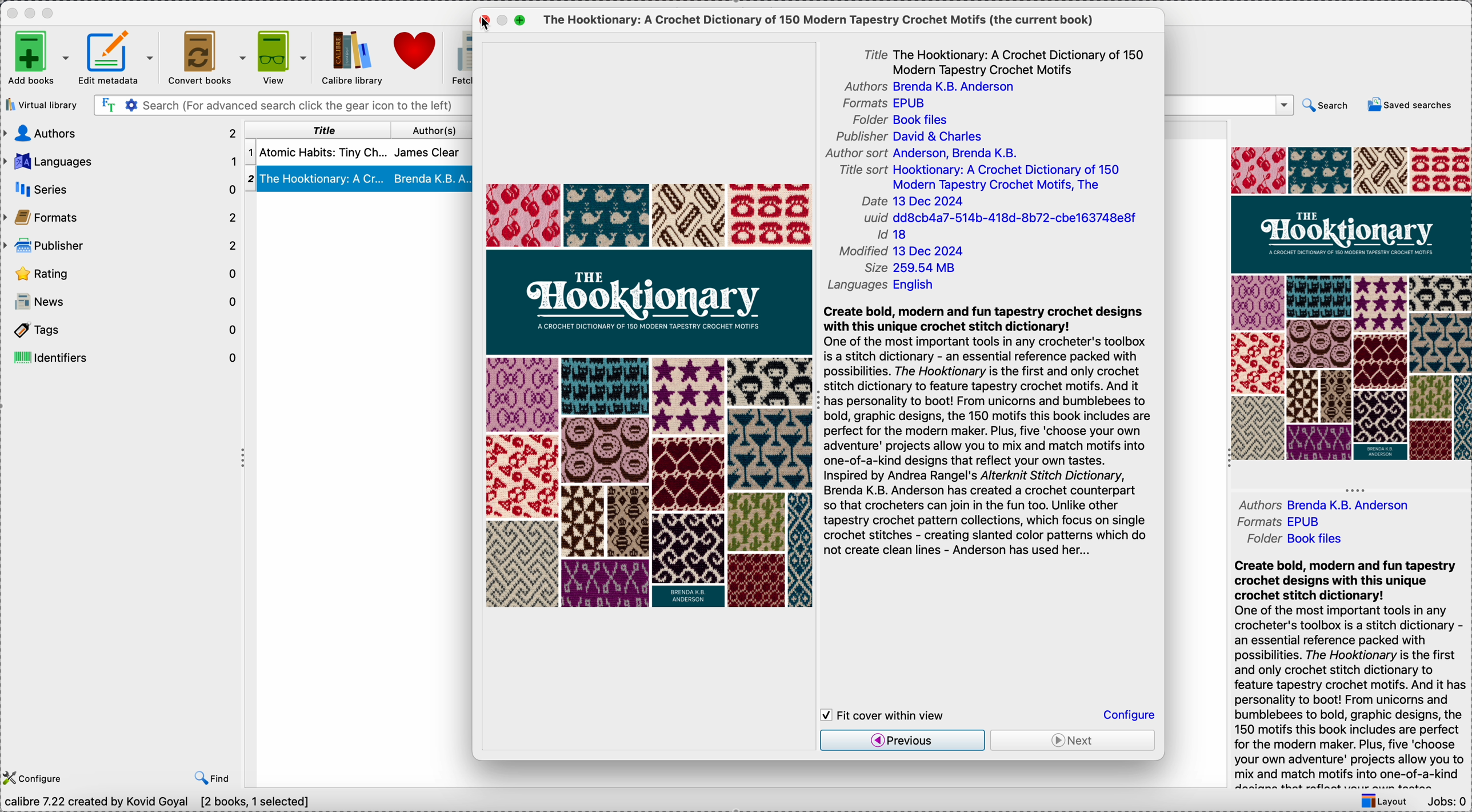 The height and width of the screenshot is (812, 1472). Describe the element at coordinates (1300, 539) in the screenshot. I see `folder Book files` at that location.